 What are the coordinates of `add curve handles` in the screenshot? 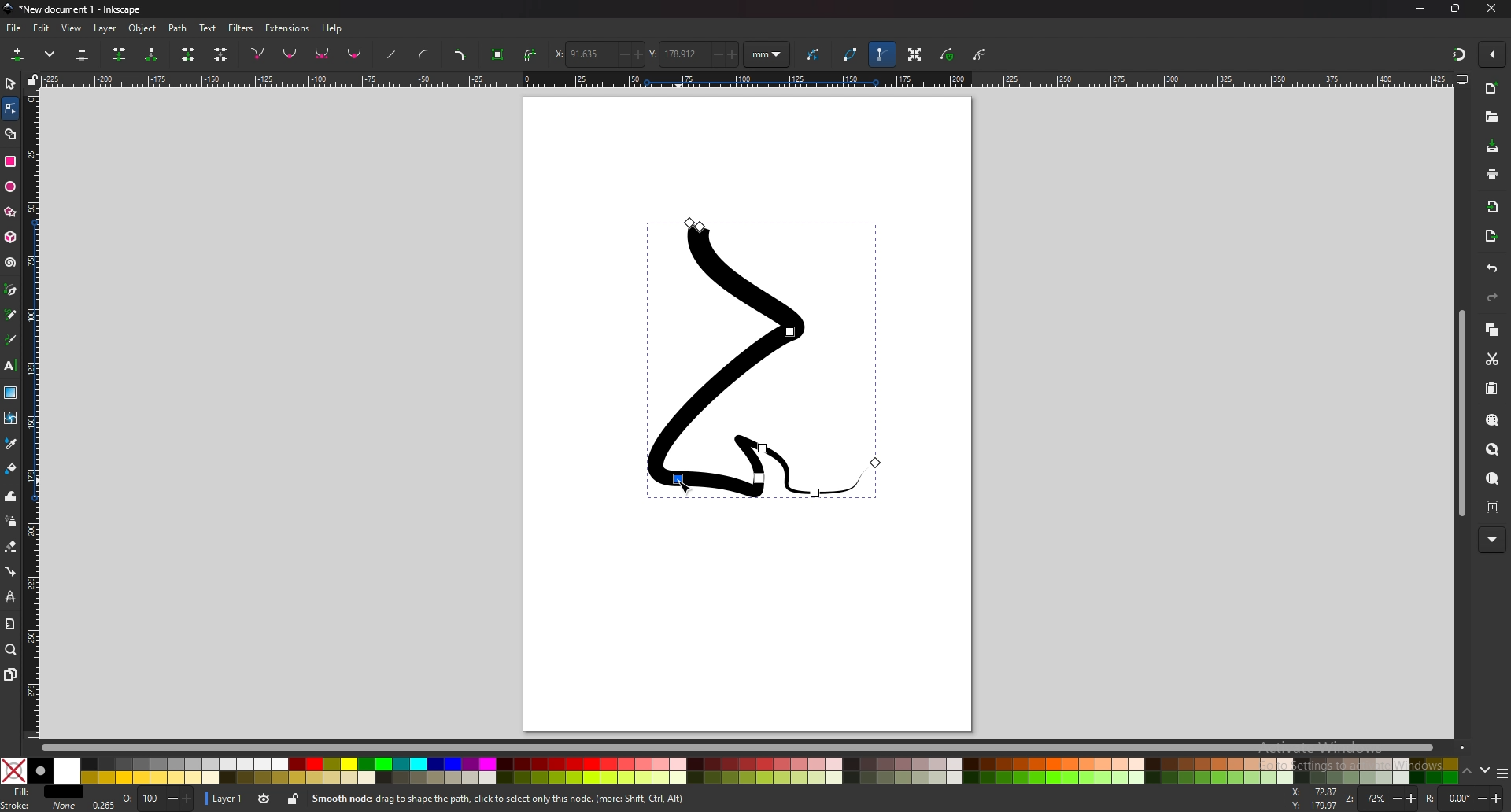 It's located at (427, 54).